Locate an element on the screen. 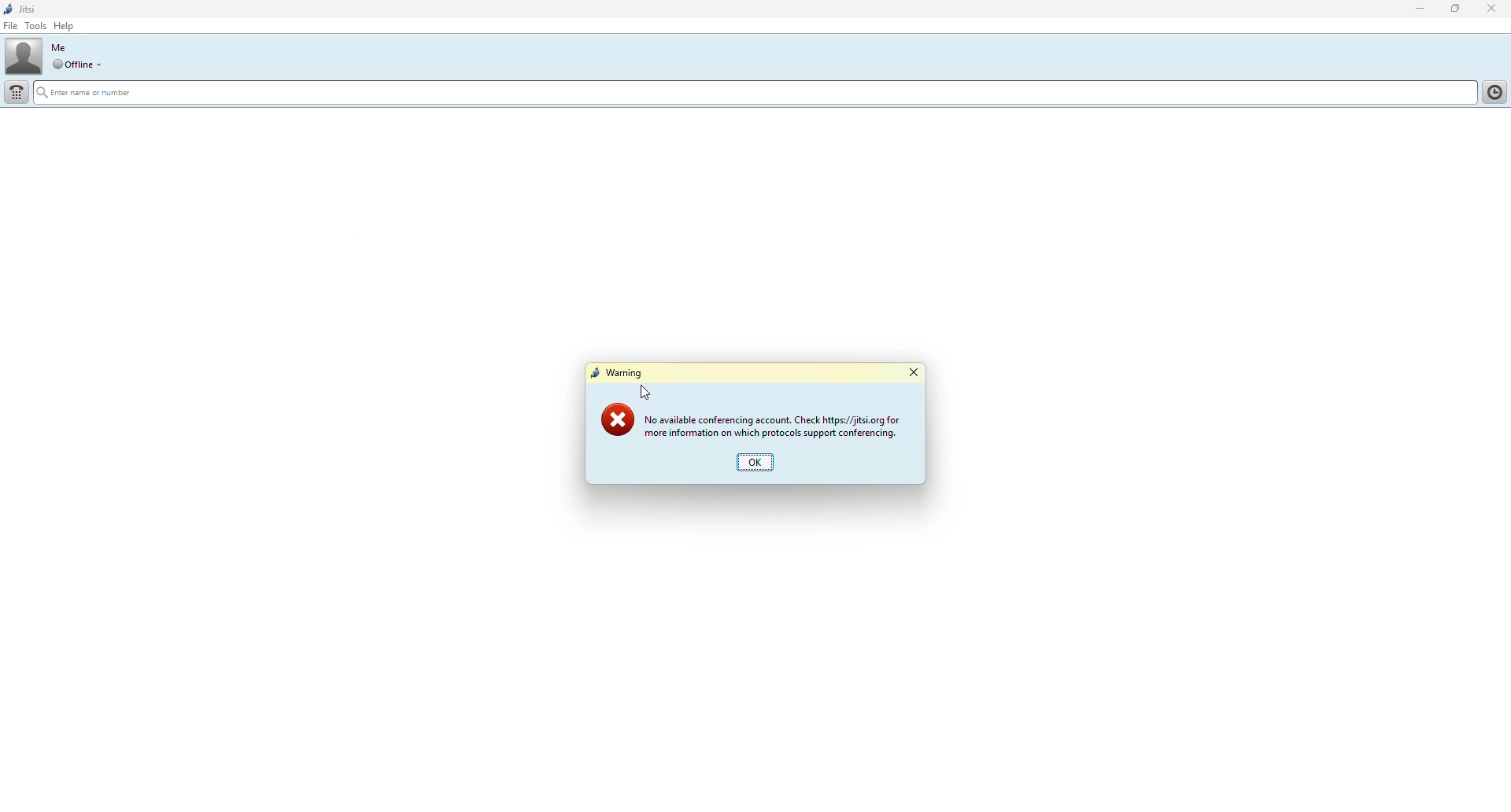 The height and width of the screenshot is (812, 1511). offline is located at coordinates (104, 64).